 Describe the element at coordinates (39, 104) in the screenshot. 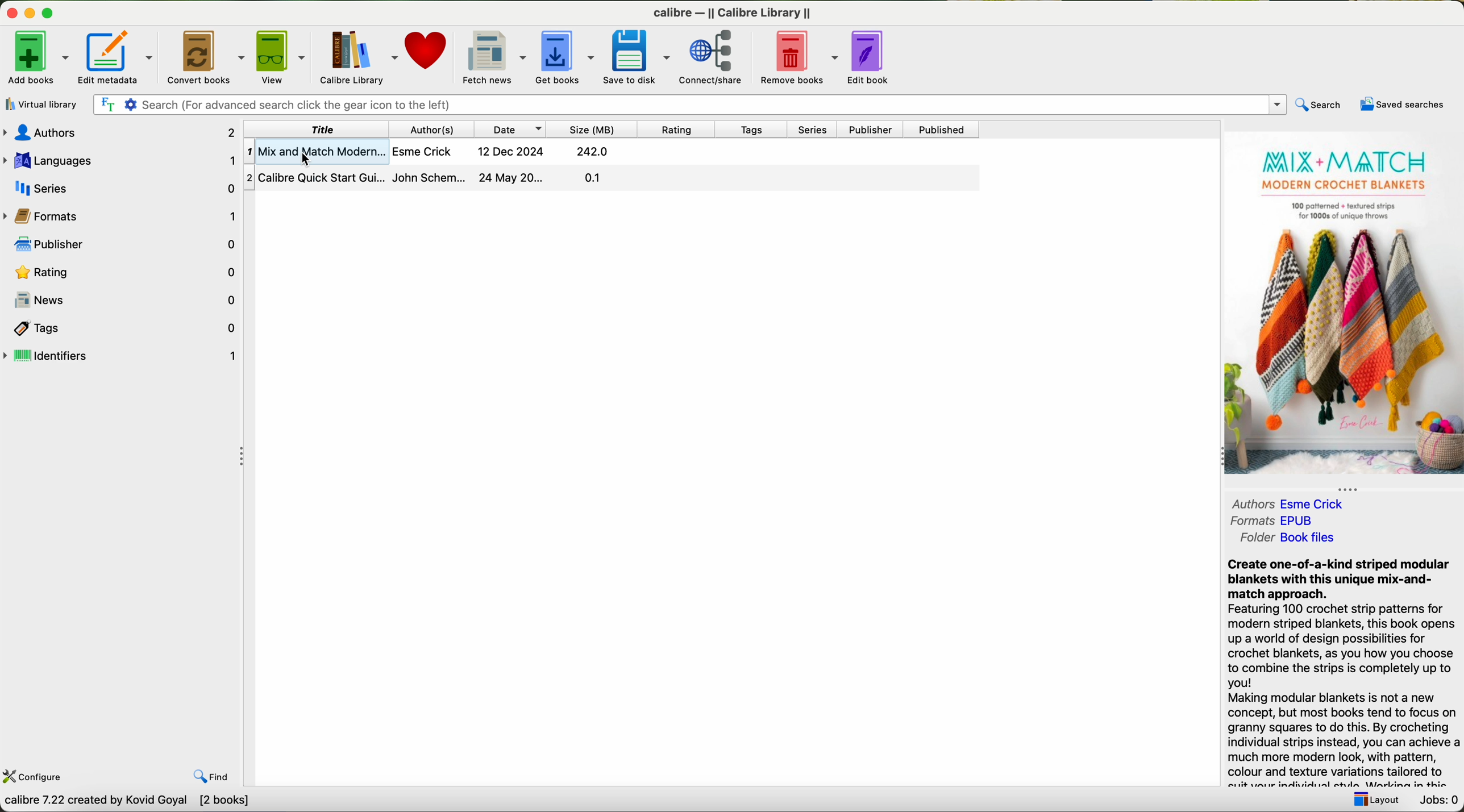

I see `virtual library` at that location.